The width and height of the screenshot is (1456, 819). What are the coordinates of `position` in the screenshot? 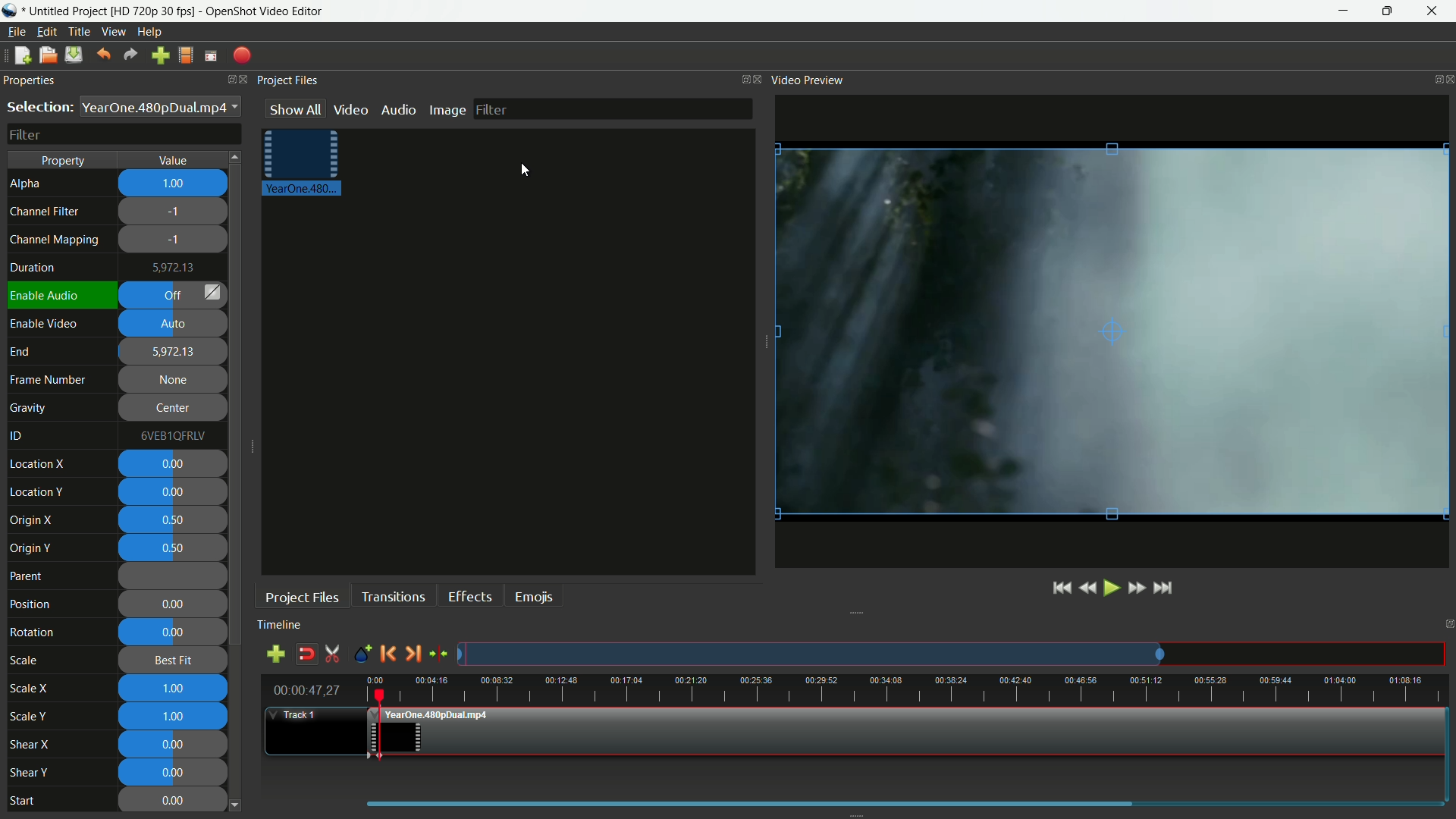 It's located at (30, 604).